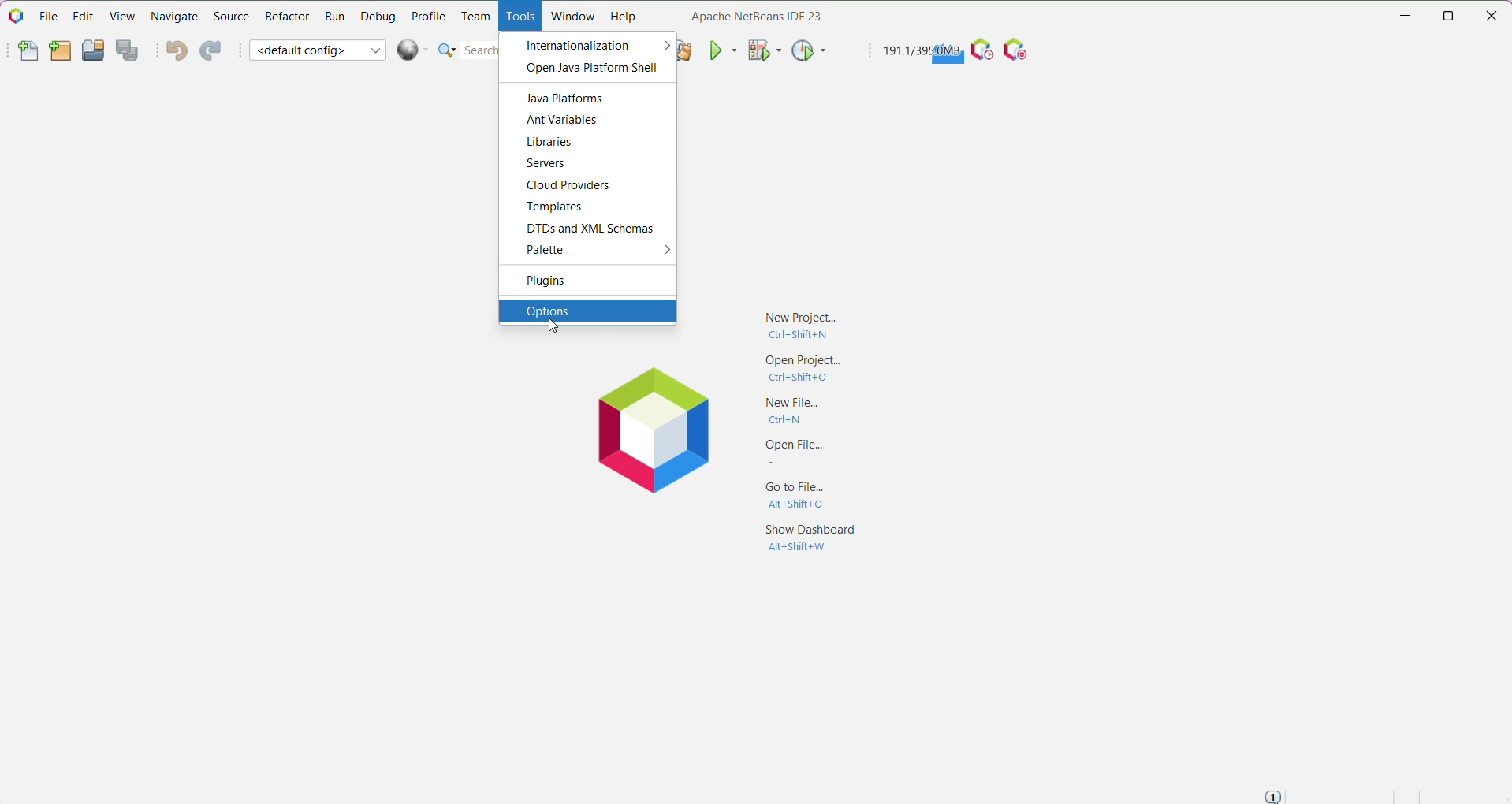 The image size is (1512, 804). Describe the element at coordinates (578, 45) in the screenshot. I see `Internationalization` at that location.